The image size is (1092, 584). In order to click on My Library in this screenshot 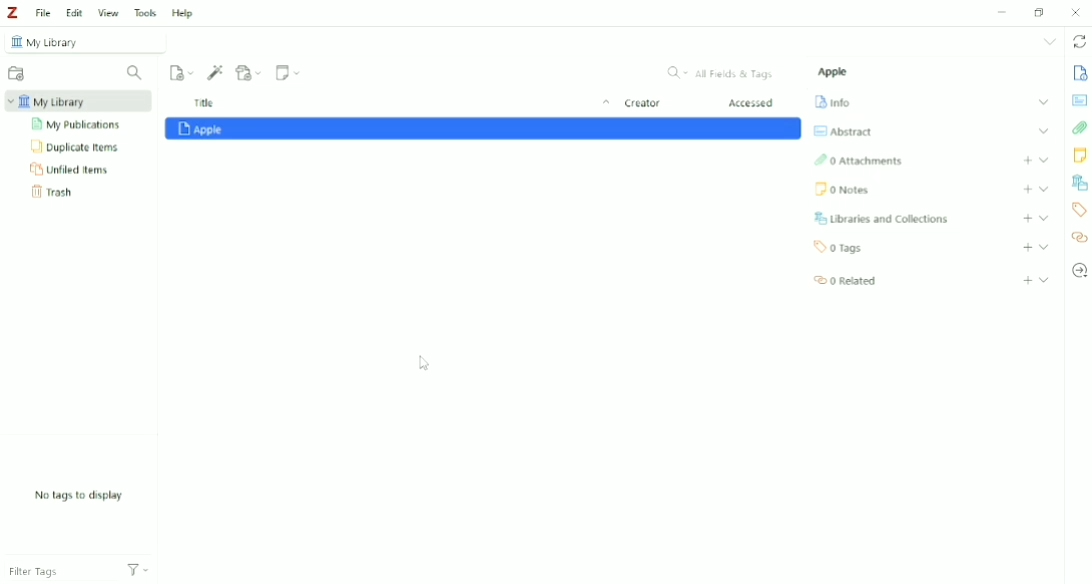, I will do `click(75, 102)`.